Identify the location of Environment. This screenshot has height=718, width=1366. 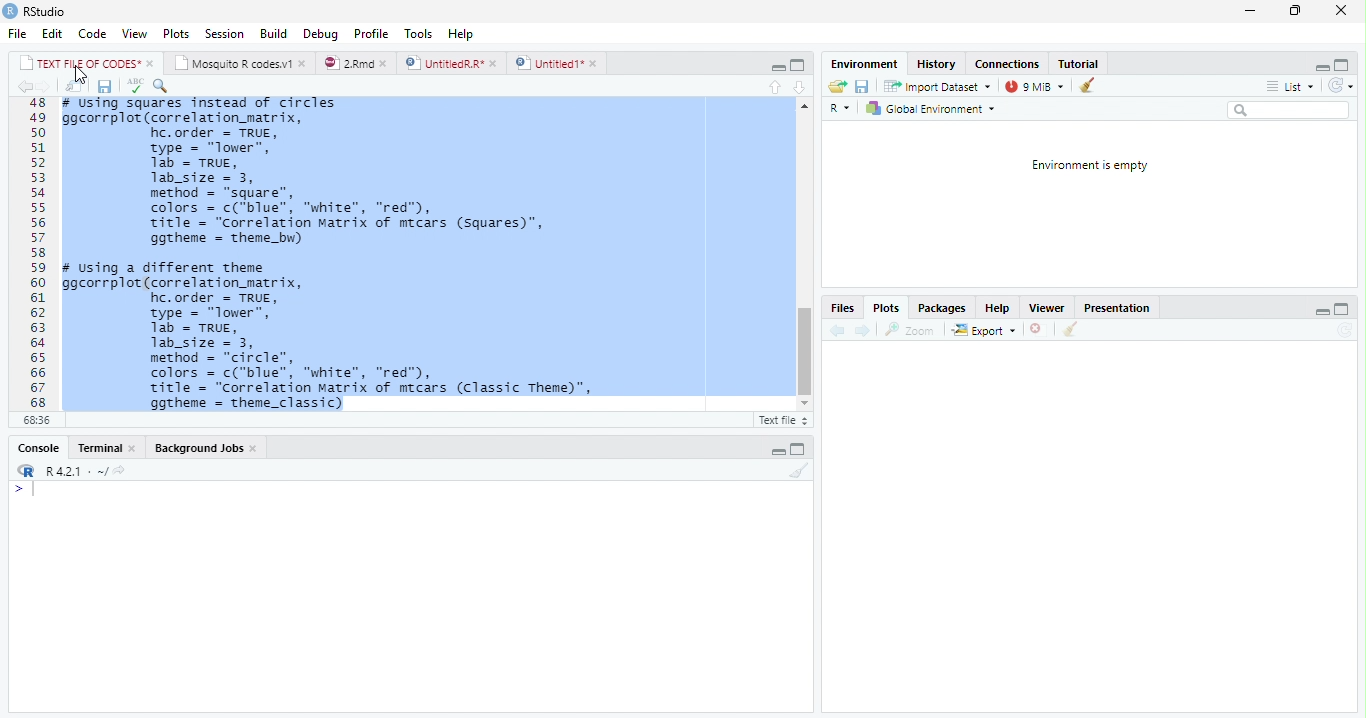
(864, 64).